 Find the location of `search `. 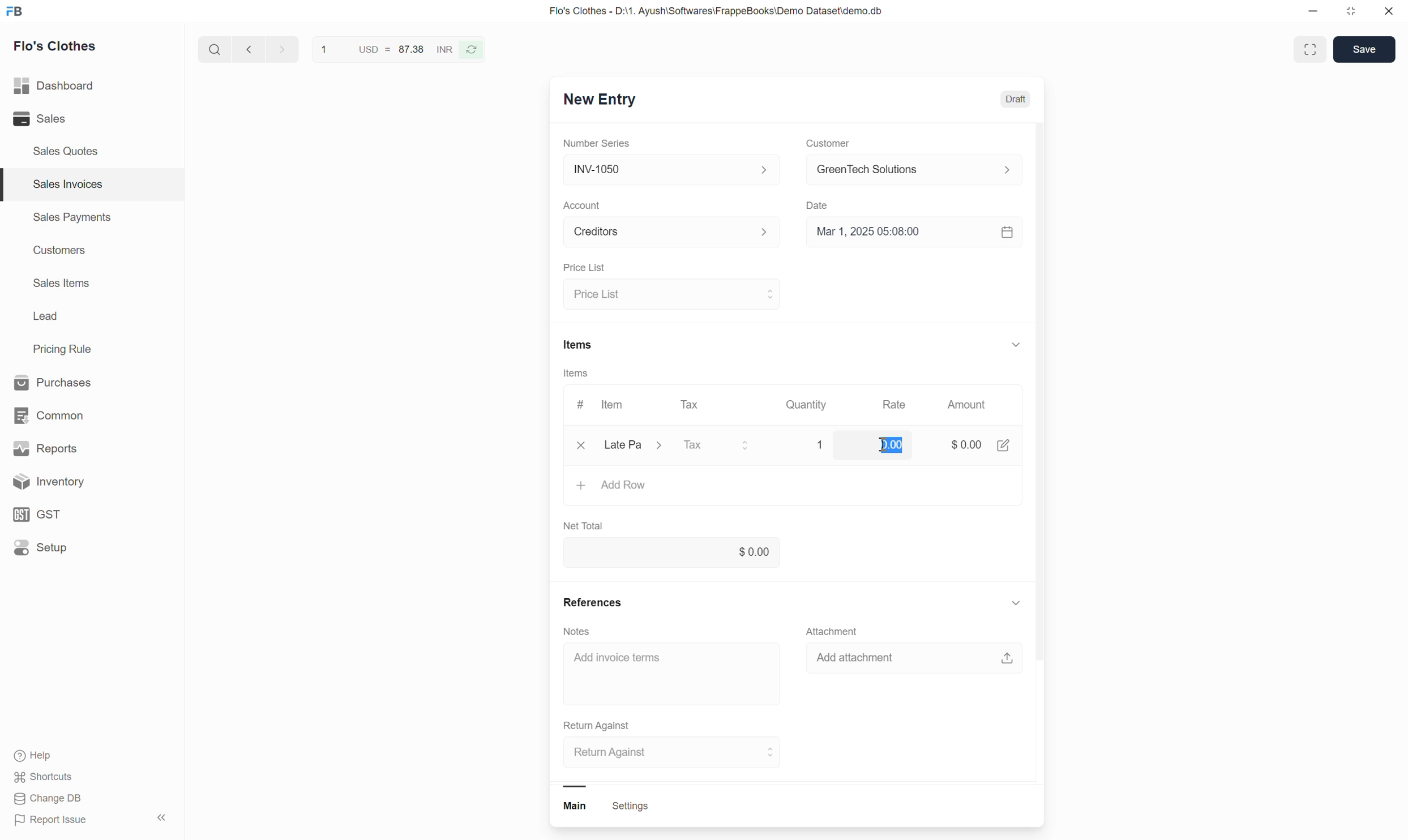

search  is located at coordinates (212, 52).